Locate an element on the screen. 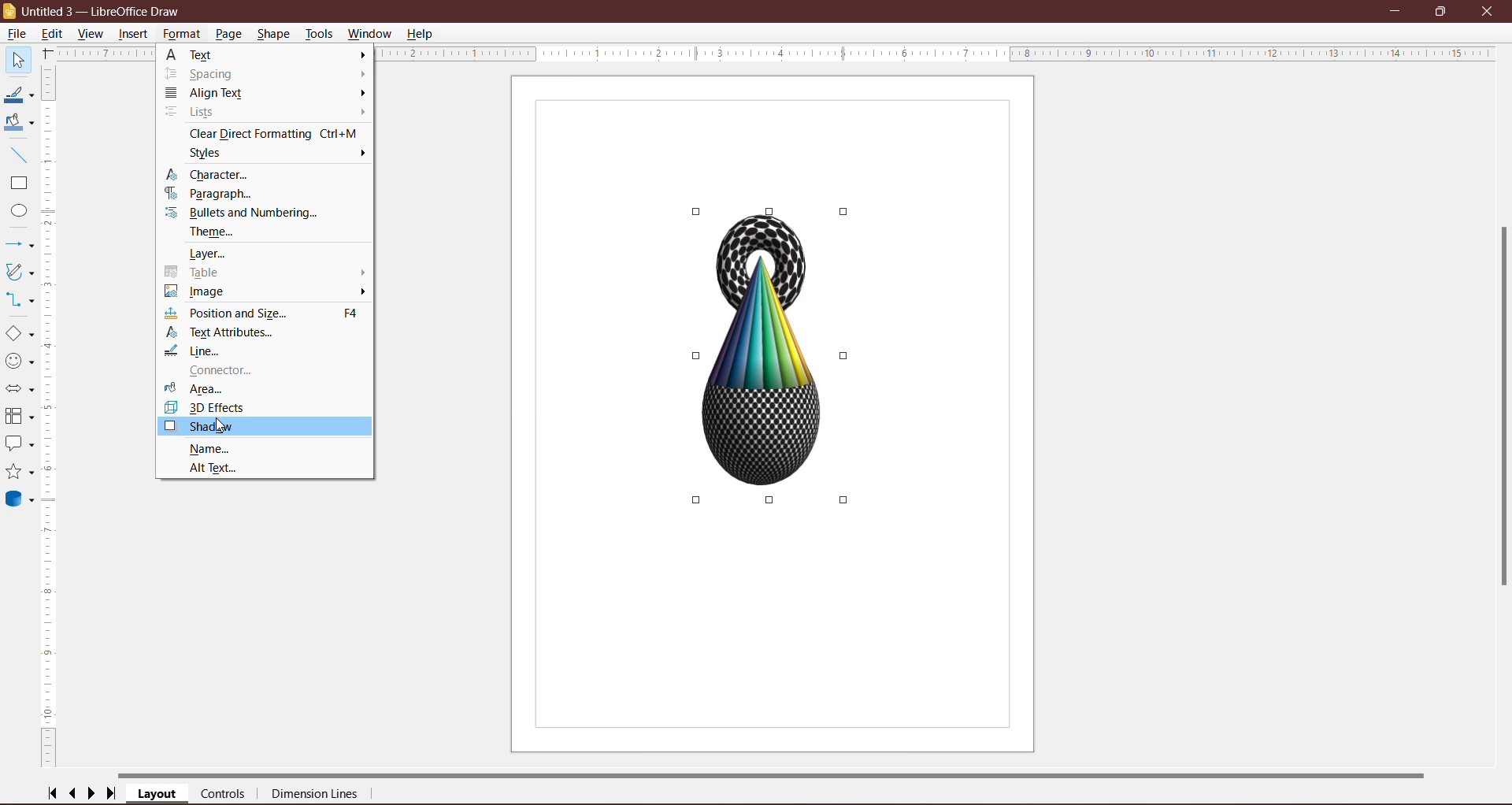 The width and height of the screenshot is (1512, 805). Stars and Banners is located at coordinates (20, 472).